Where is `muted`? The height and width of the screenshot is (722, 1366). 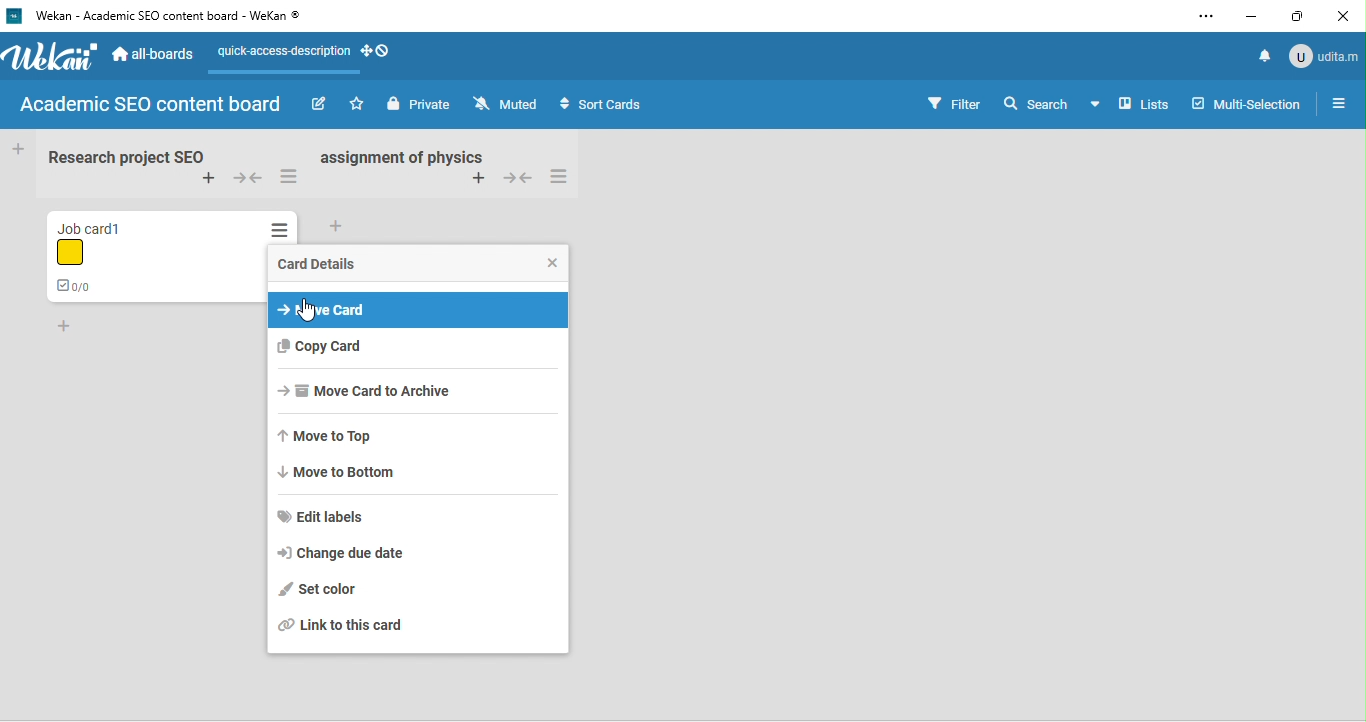
muted is located at coordinates (510, 105).